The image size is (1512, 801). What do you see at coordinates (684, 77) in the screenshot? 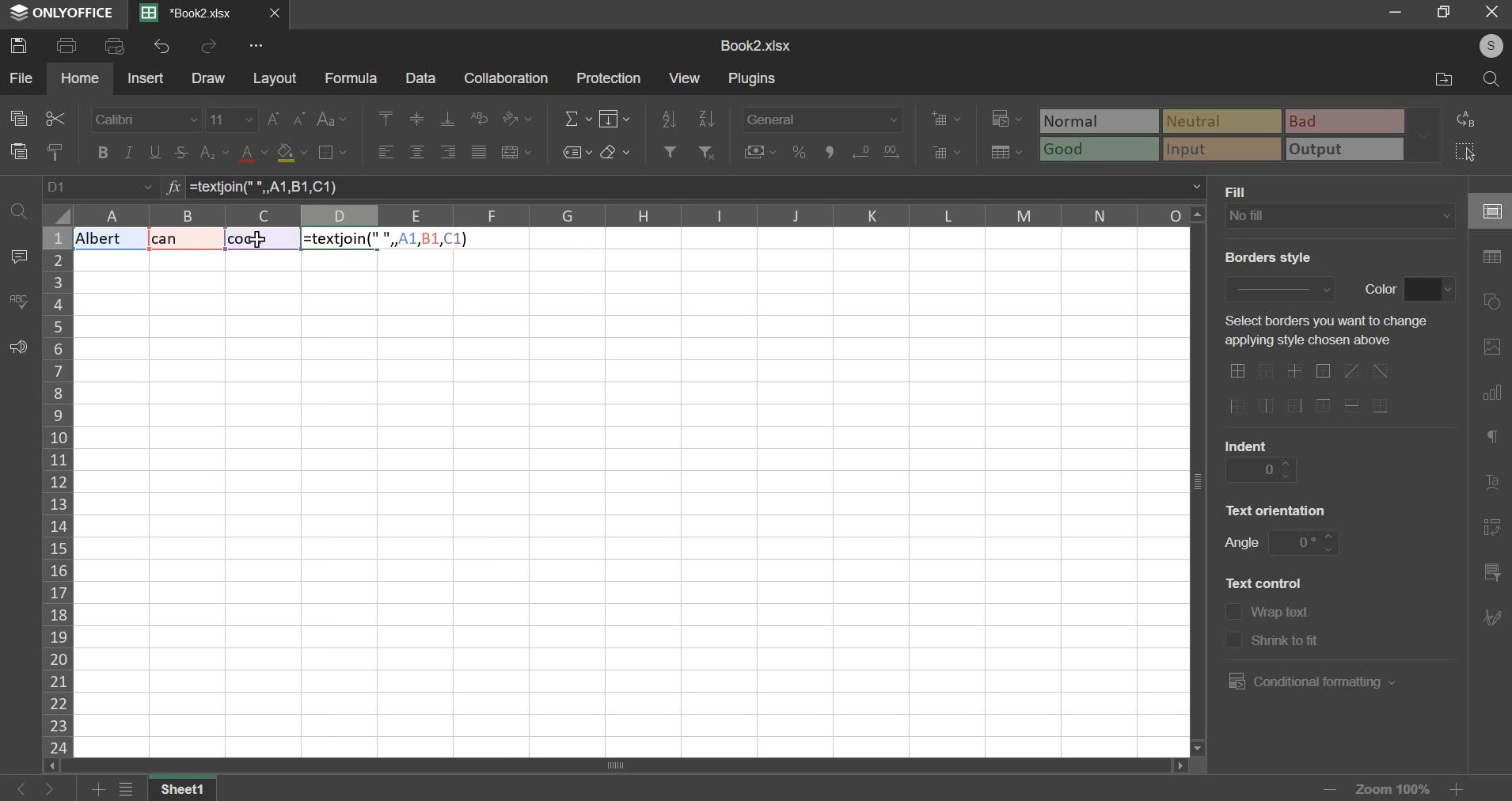
I see `view` at bounding box center [684, 77].